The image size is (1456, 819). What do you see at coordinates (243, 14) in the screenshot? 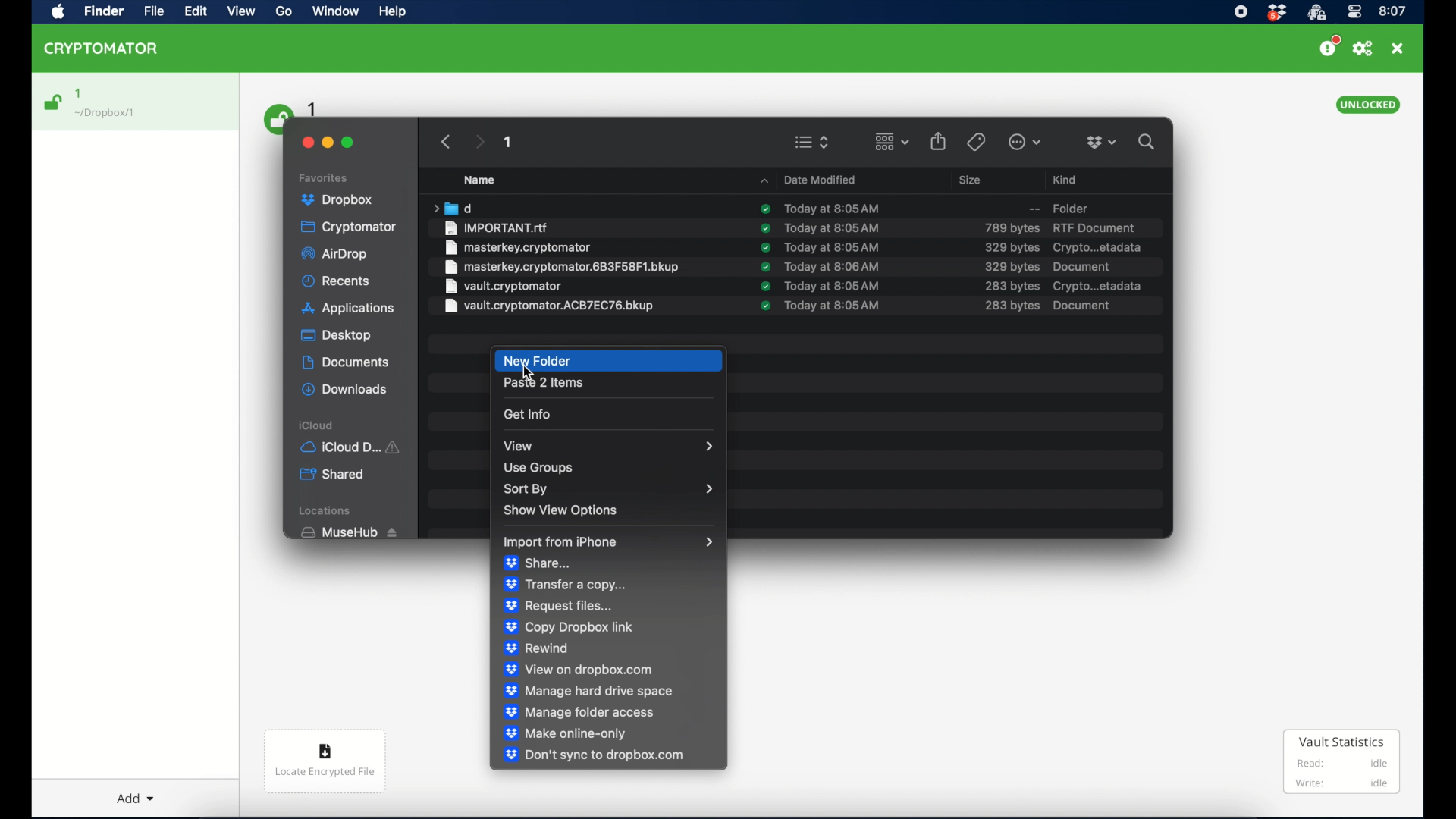
I see `View` at bounding box center [243, 14].